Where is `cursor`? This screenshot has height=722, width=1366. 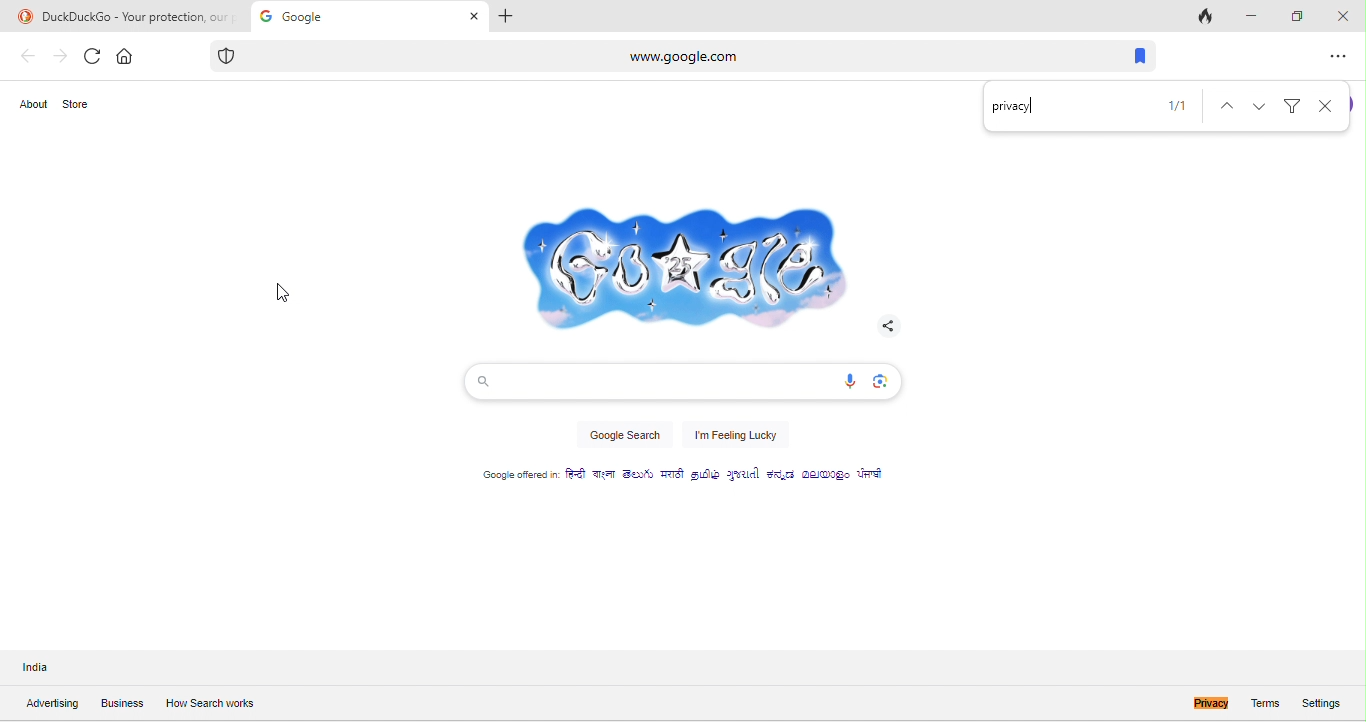 cursor is located at coordinates (281, 296).